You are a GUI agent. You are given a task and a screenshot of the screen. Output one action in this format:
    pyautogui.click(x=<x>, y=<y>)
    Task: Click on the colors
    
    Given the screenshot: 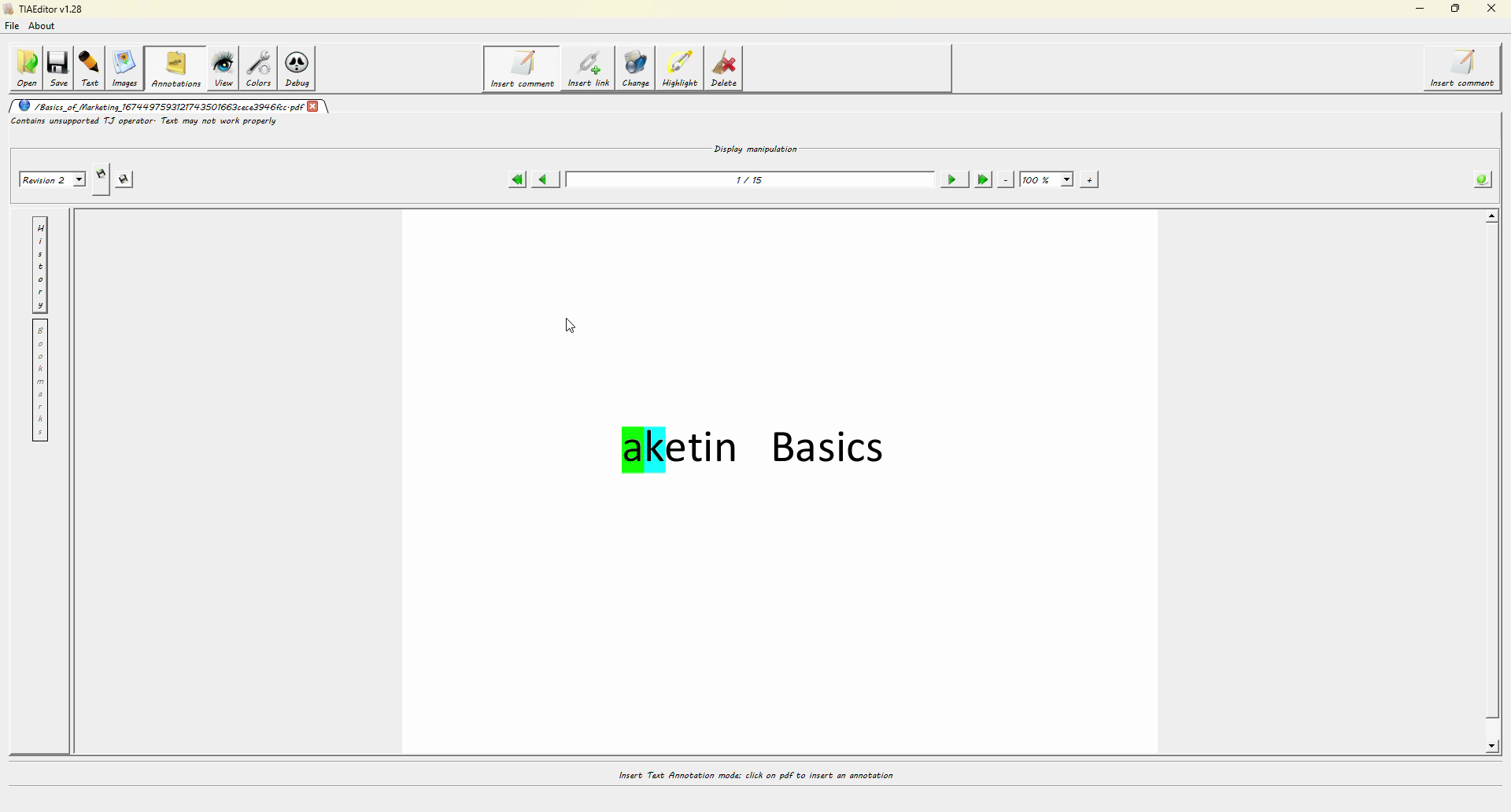 What is the action you would take?
    pyautogui.click(x=262, y=68)
    